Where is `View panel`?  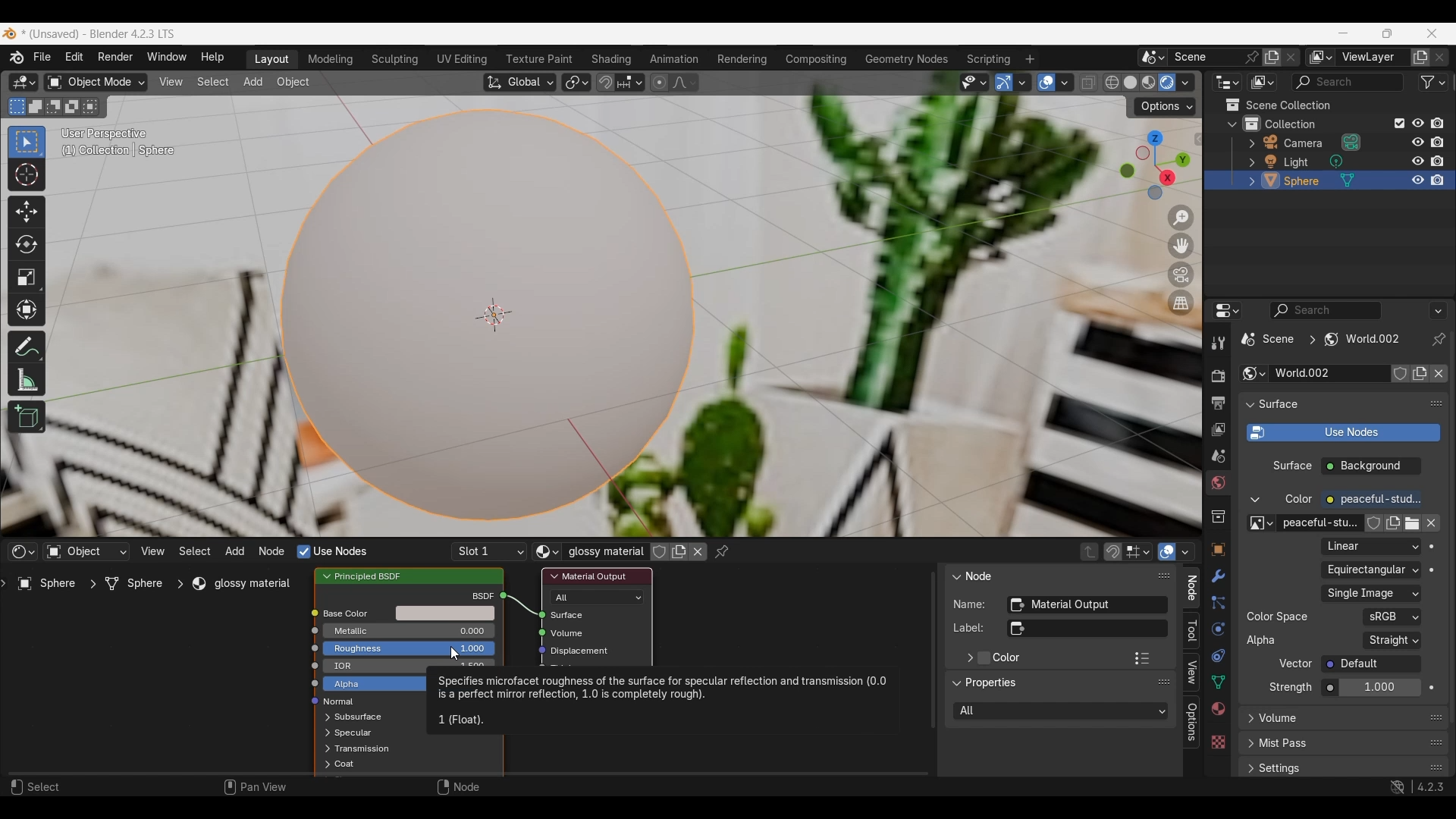
View panel is located at coordinates (1191, 673).